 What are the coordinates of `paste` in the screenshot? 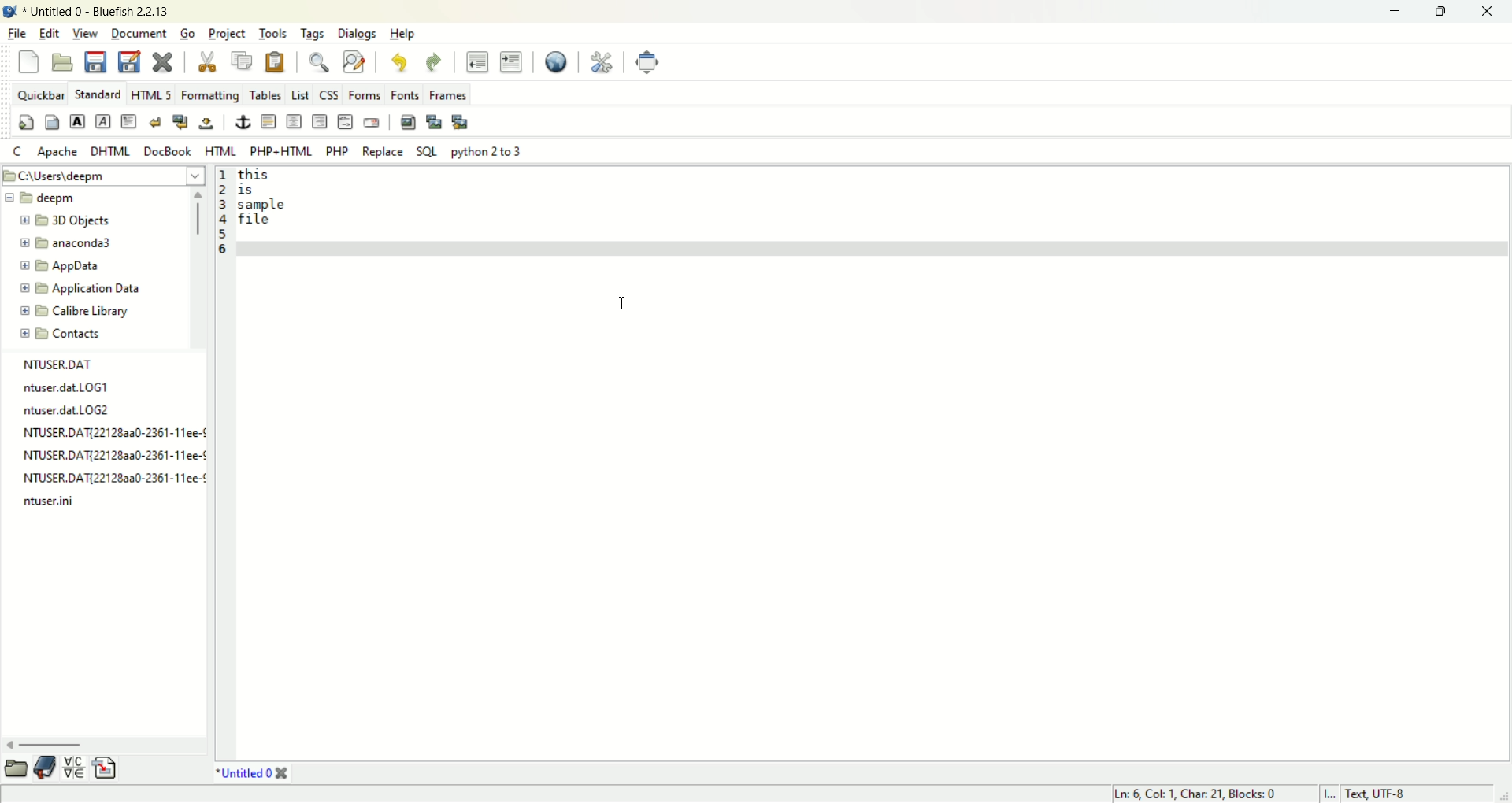 It's located at (277, 61).